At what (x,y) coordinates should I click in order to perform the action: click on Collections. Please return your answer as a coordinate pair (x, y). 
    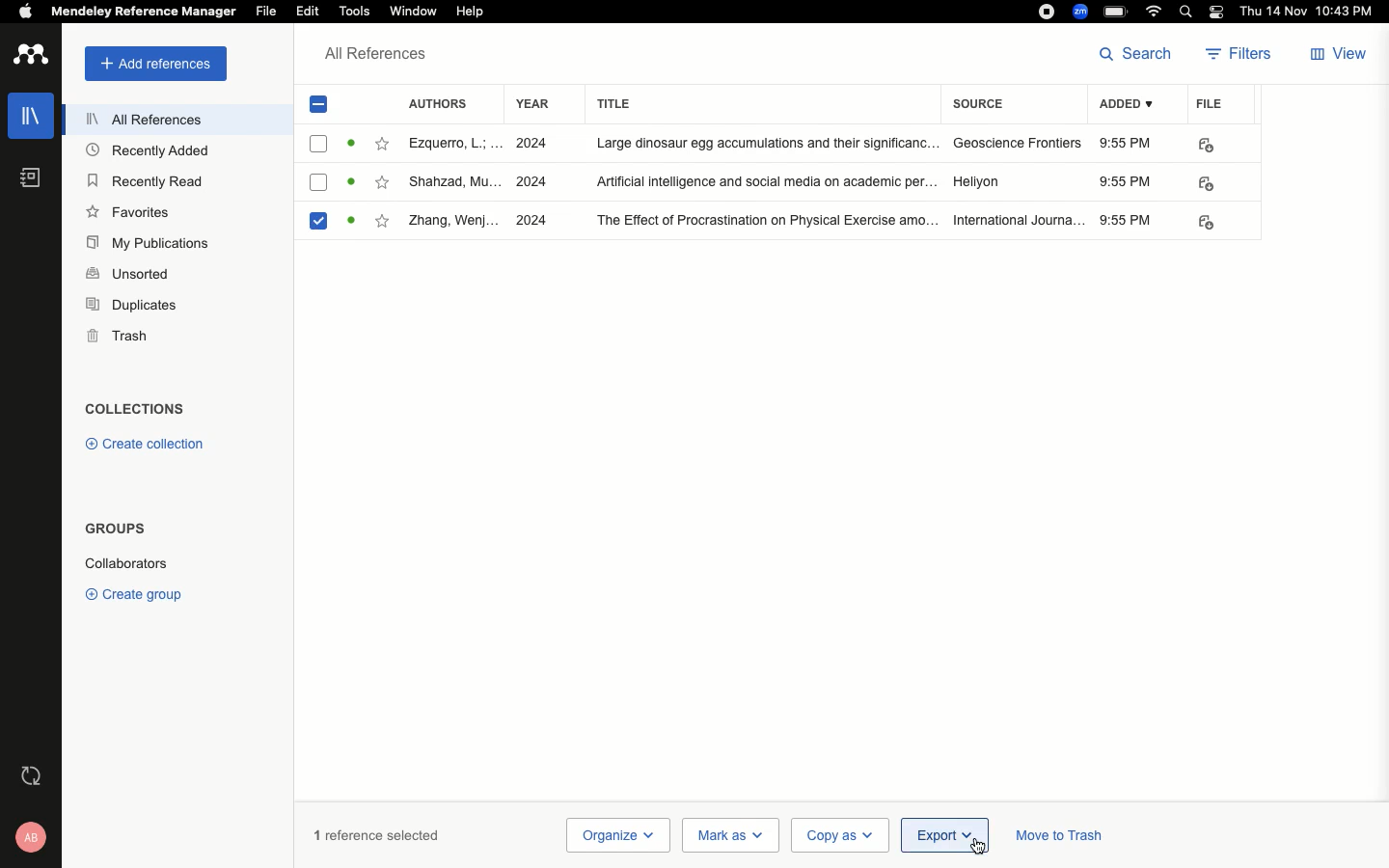
    Looking at the image, I should click on (135, 411).